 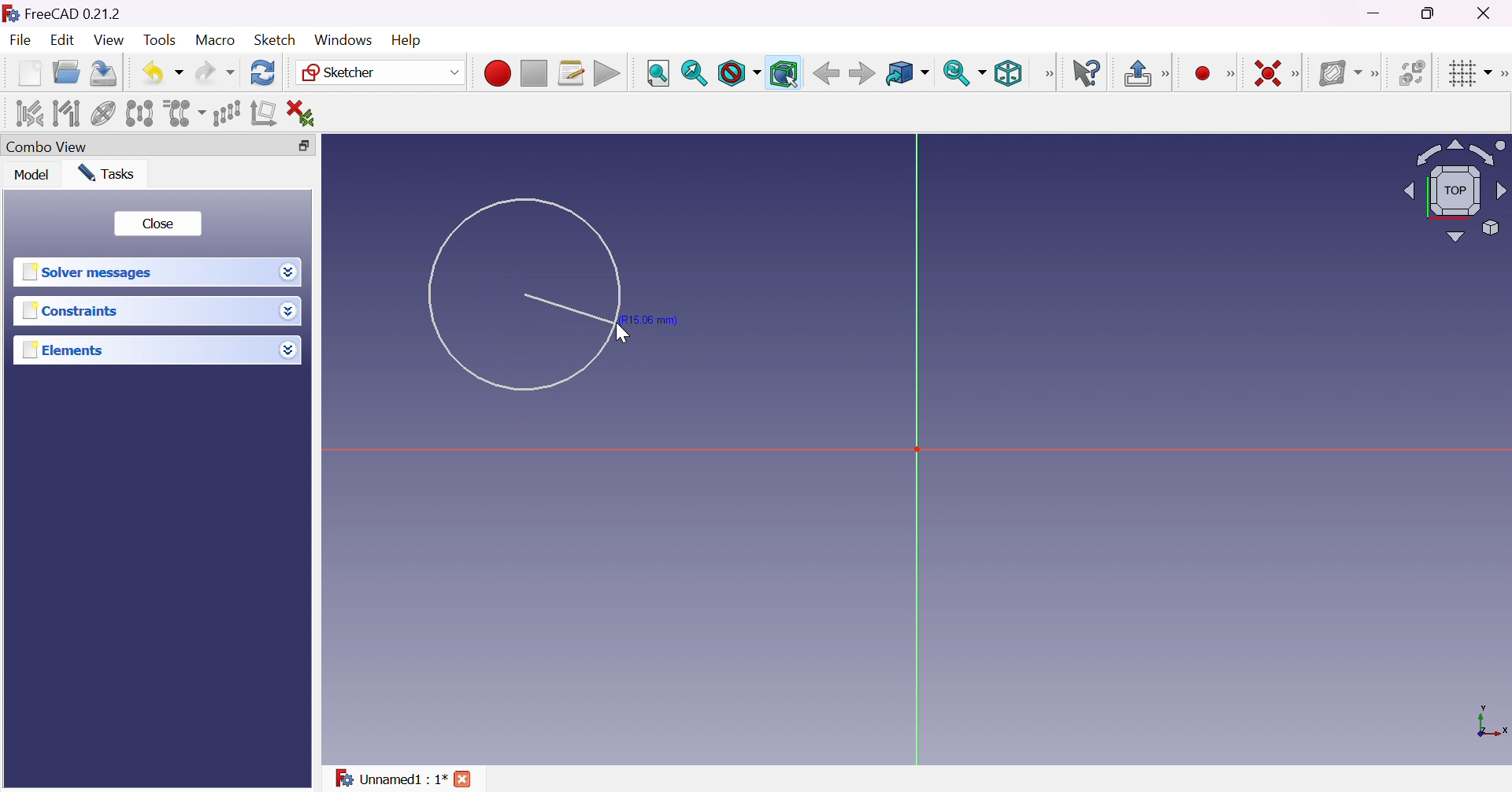 What do you see at coordinates (497, 71) in the screenshot?
I see `Macro recording...` at bounding box center [497, 71].